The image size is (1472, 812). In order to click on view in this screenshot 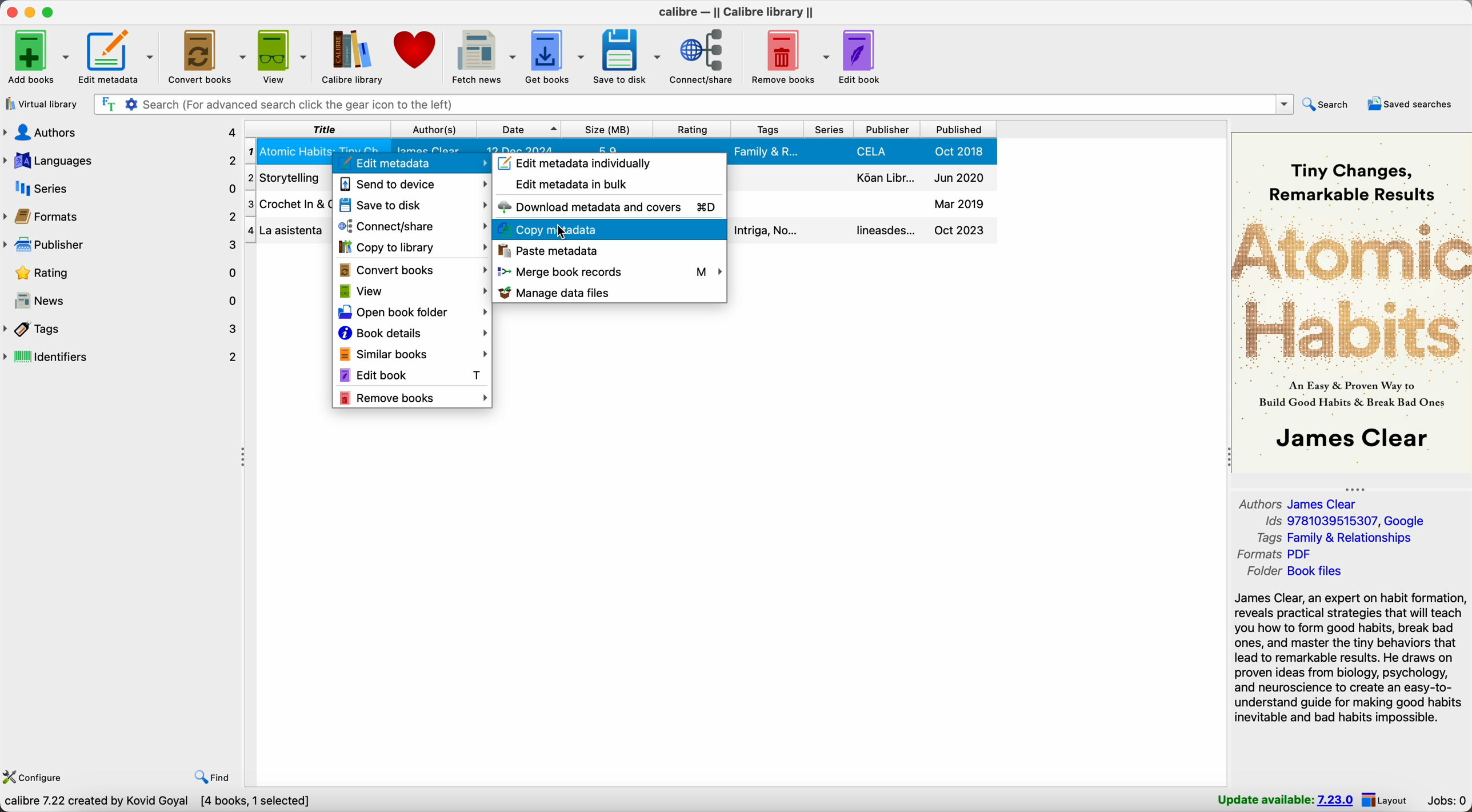, I will do `click(284, 55)`.